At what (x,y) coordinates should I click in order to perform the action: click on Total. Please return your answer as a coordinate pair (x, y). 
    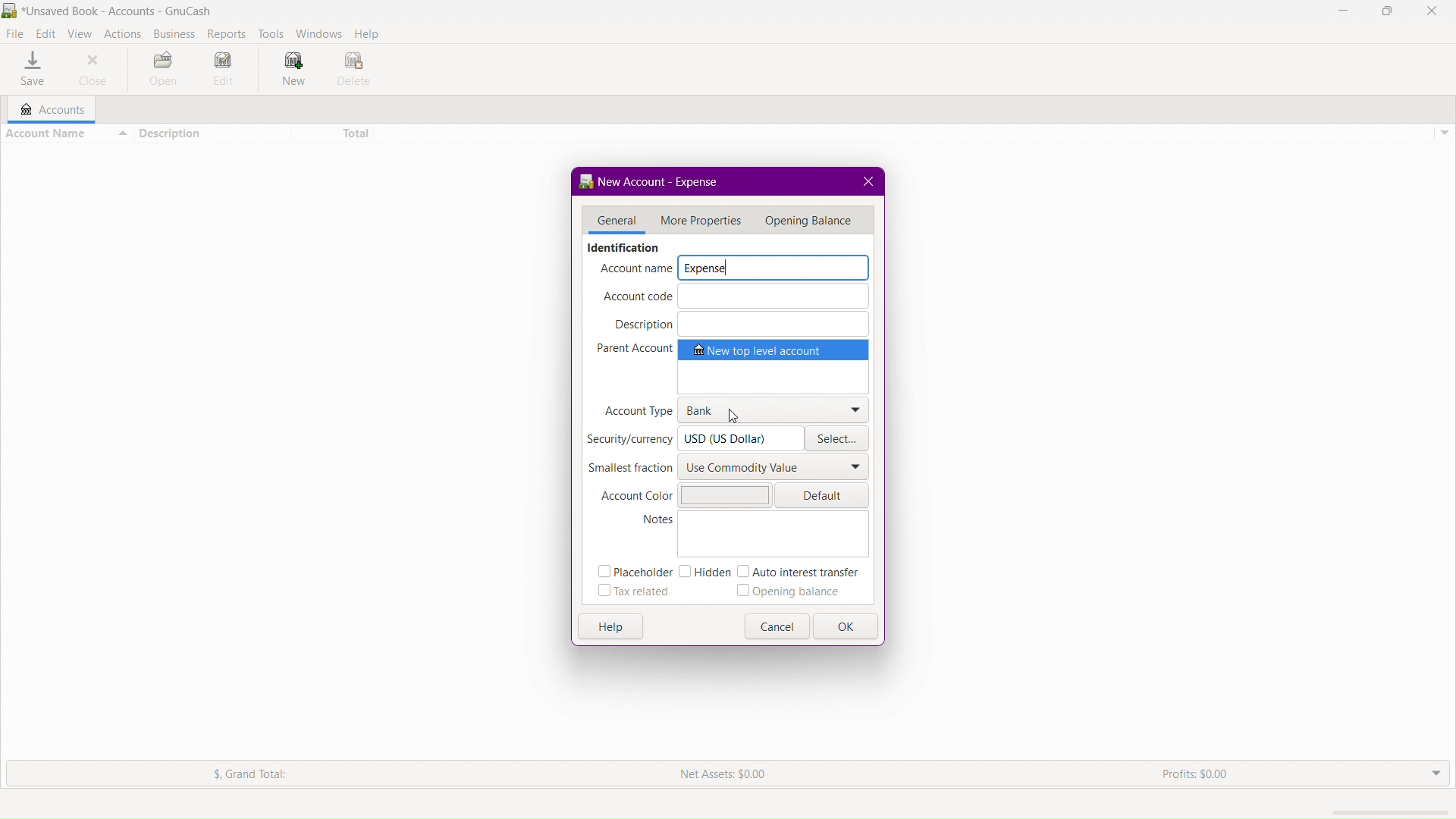
    Looking at the image, I should click on (334, 134).